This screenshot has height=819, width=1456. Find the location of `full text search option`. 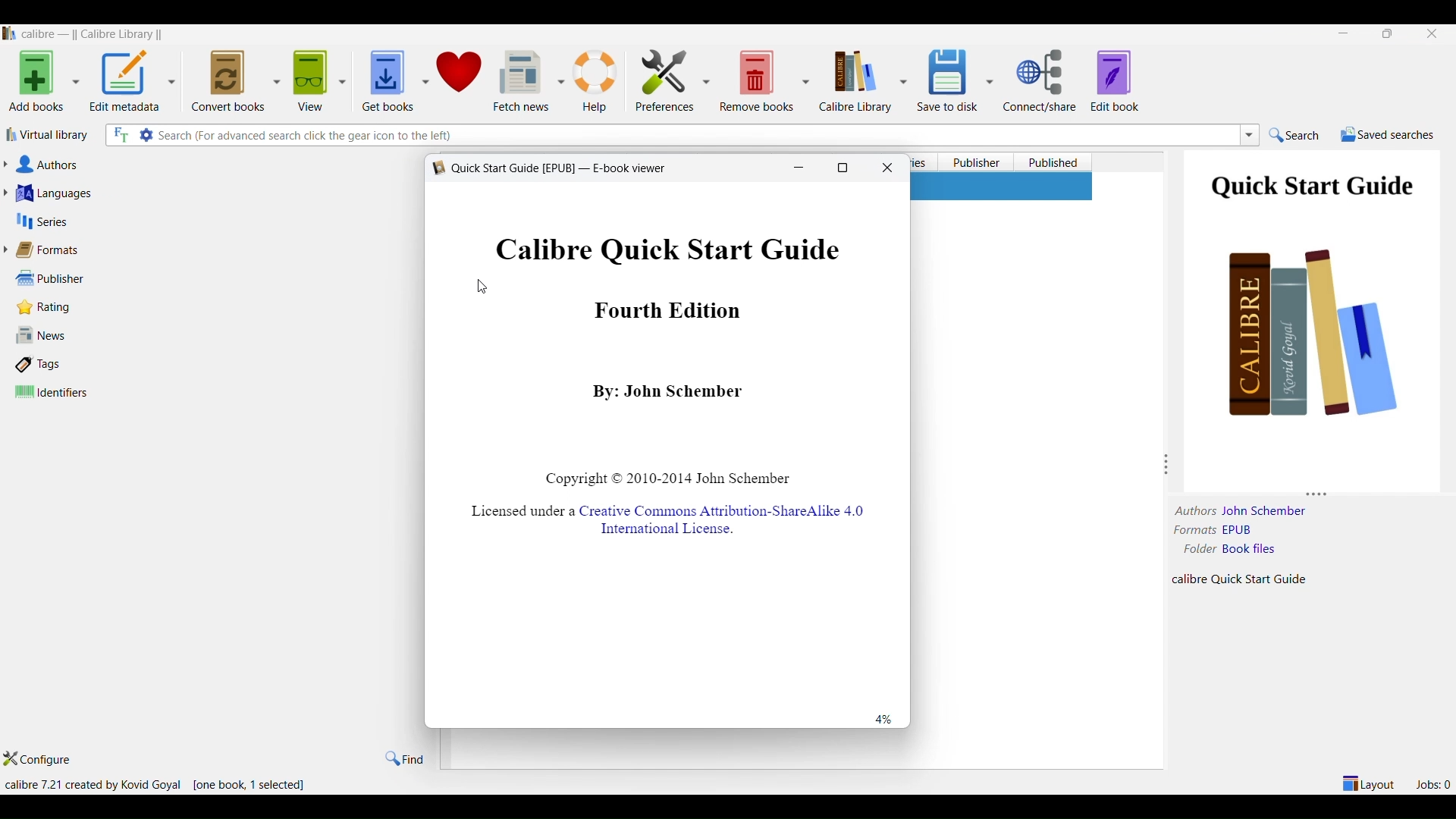

full text search option is located at coordinates (121, 134).